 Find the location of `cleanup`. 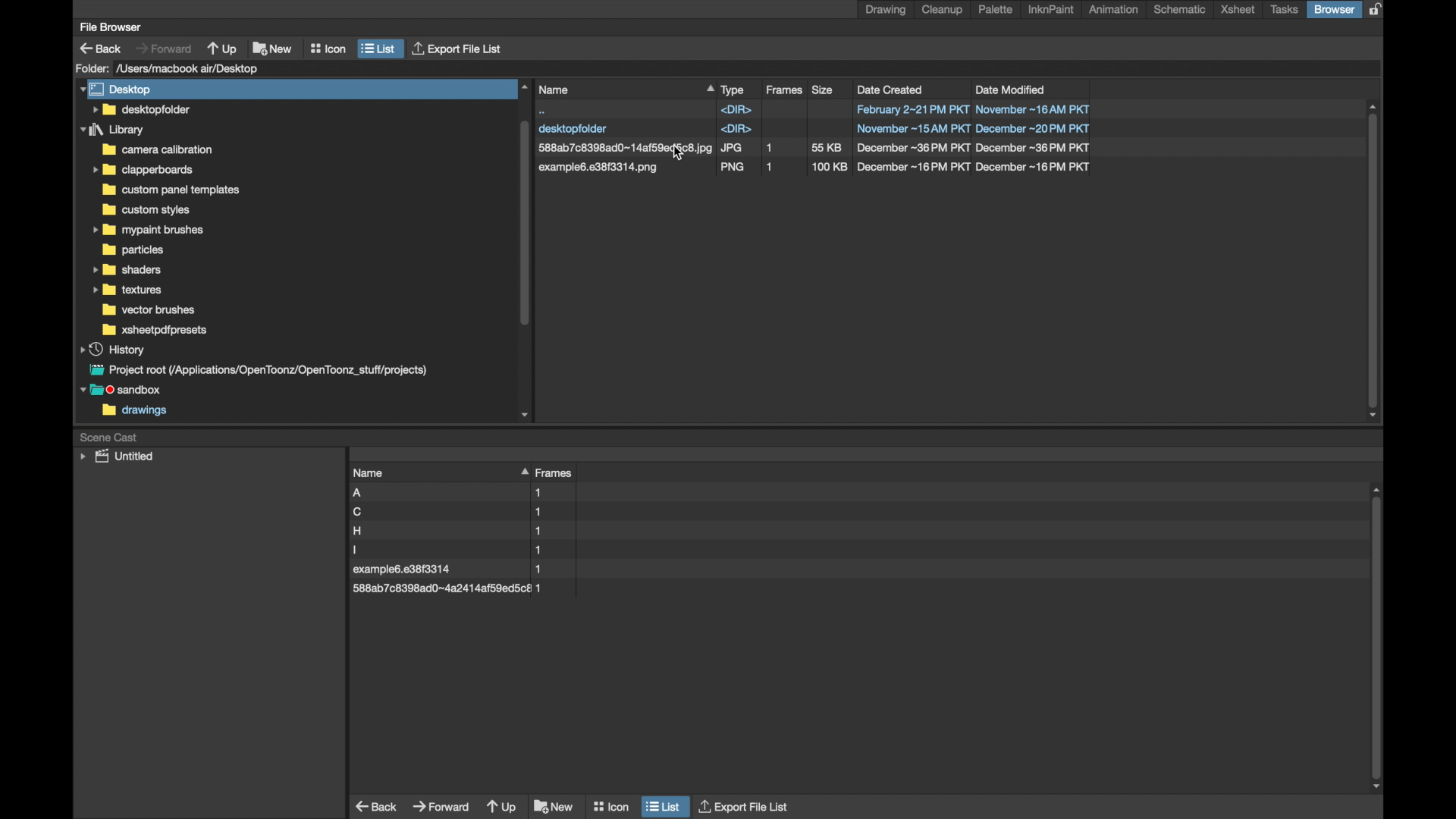

cleanup is located at coordinates (945, 10).